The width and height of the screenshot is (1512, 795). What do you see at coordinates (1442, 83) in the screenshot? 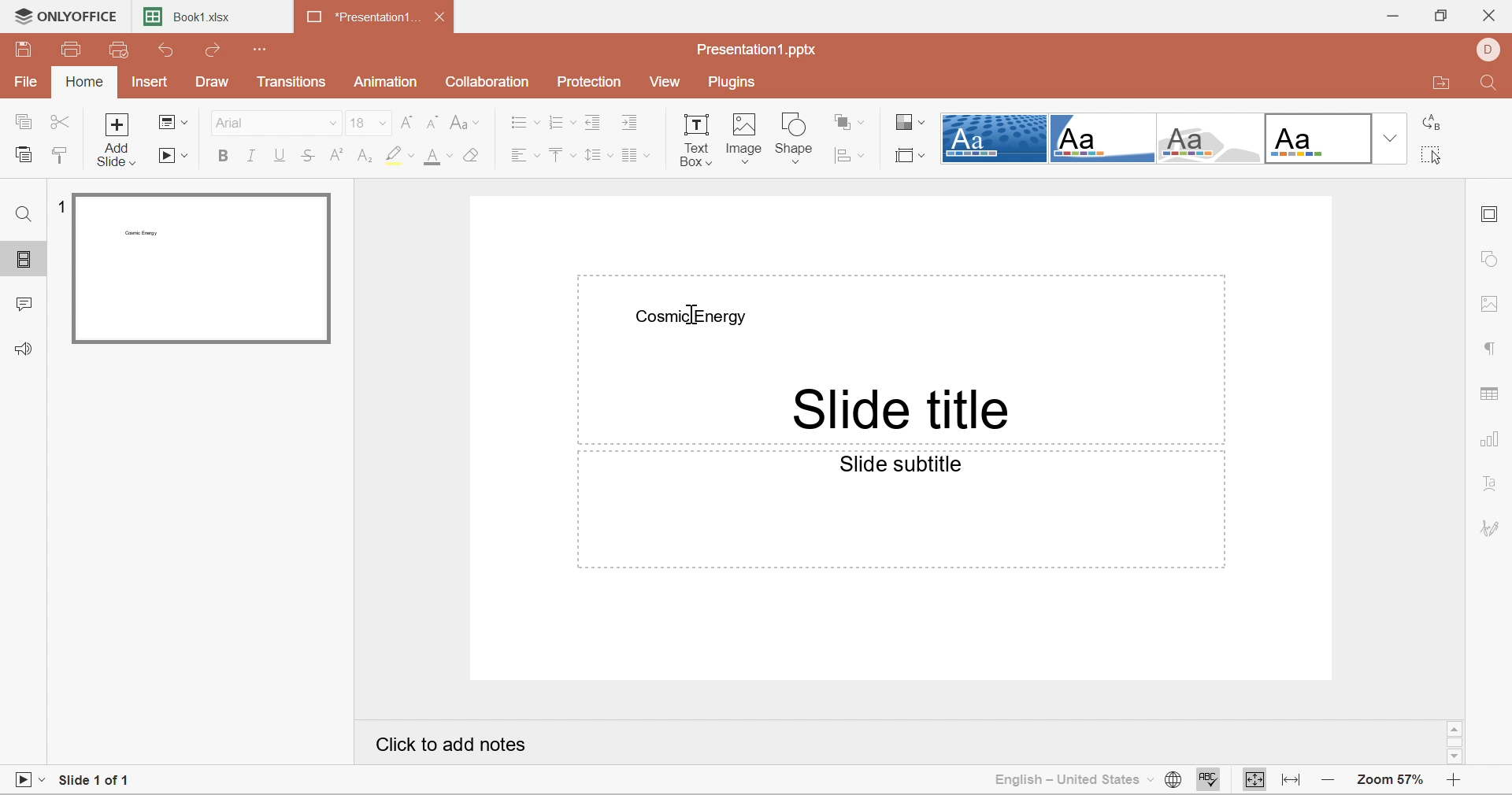
I see `Open file location` at bounding box center [1442, 83].